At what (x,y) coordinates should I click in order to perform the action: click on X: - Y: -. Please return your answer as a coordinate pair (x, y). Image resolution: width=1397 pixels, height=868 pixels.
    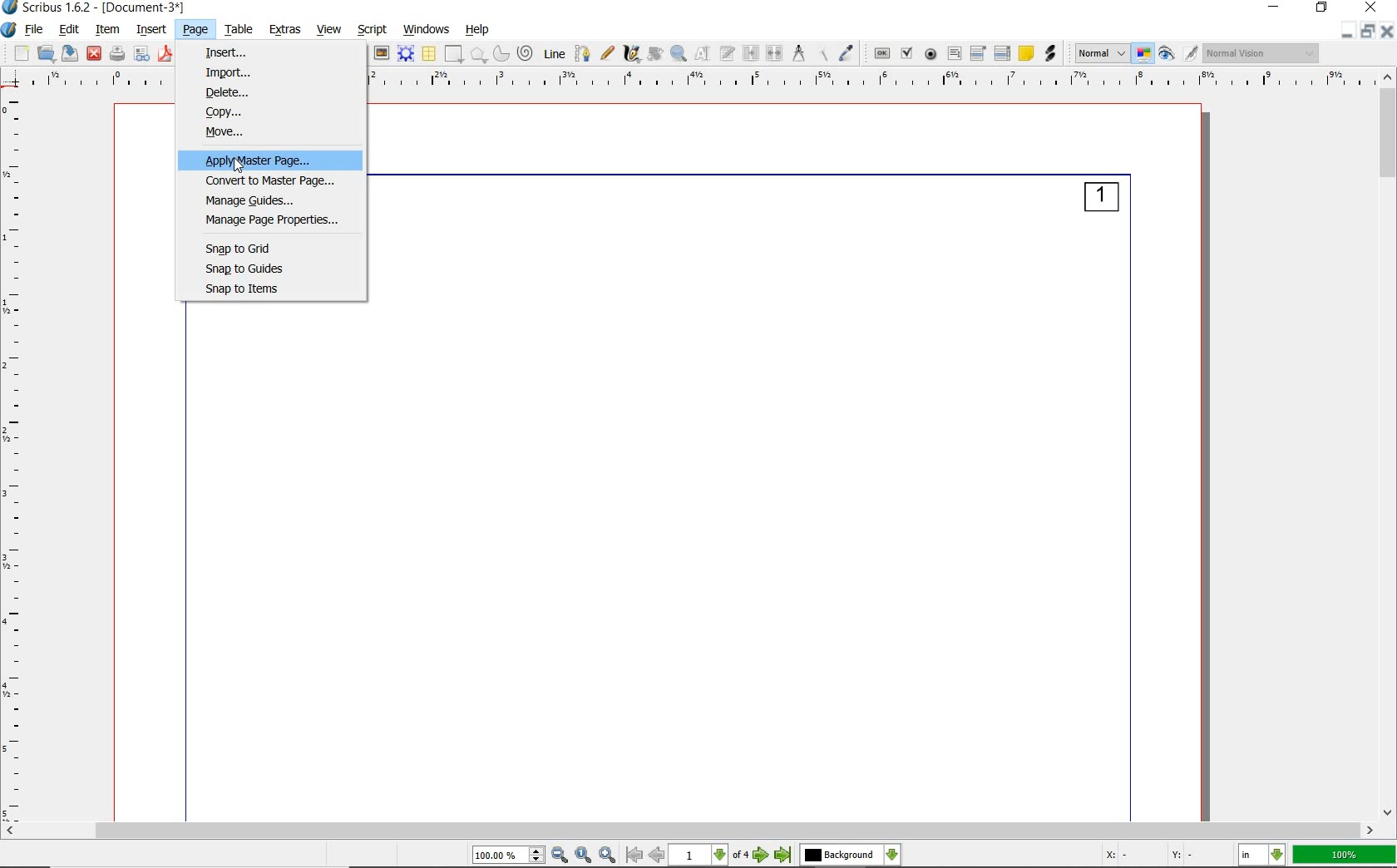
    Looking at the image, I should click on (1148, 856).